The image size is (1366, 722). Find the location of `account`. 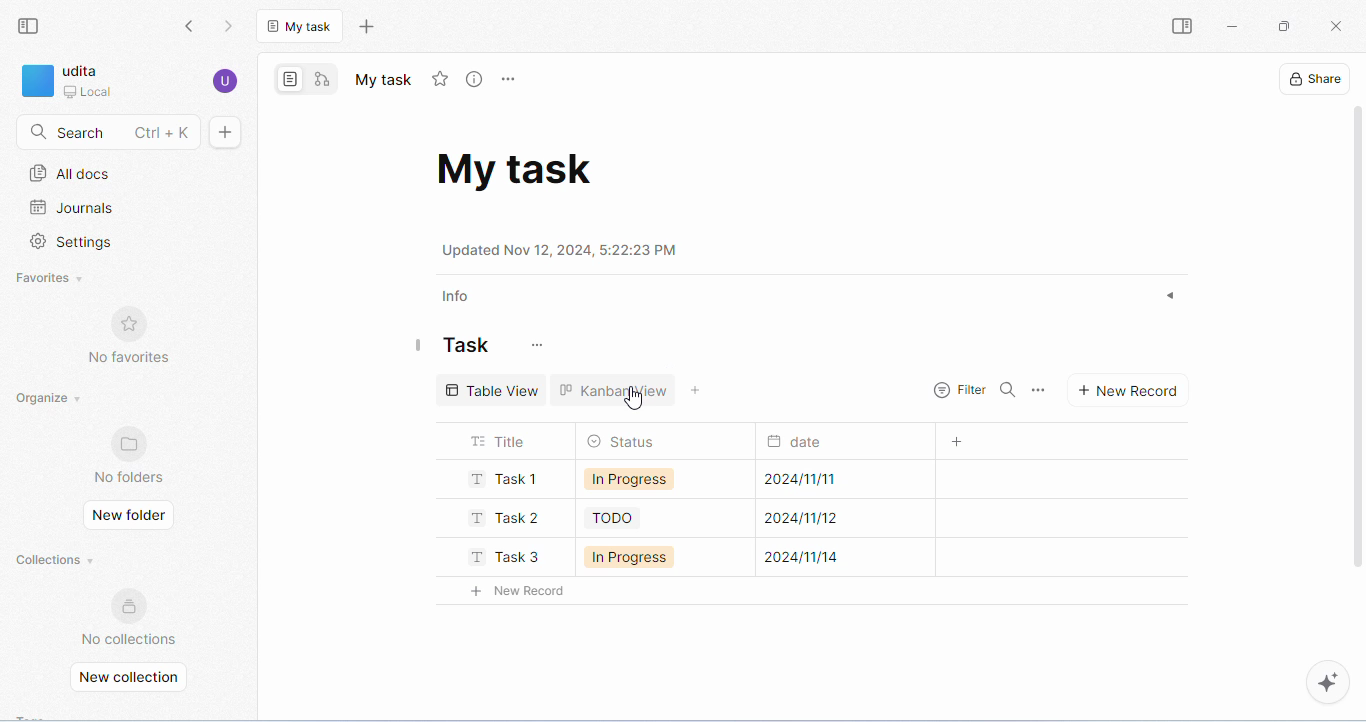

account is located at coordinates (226, 80).